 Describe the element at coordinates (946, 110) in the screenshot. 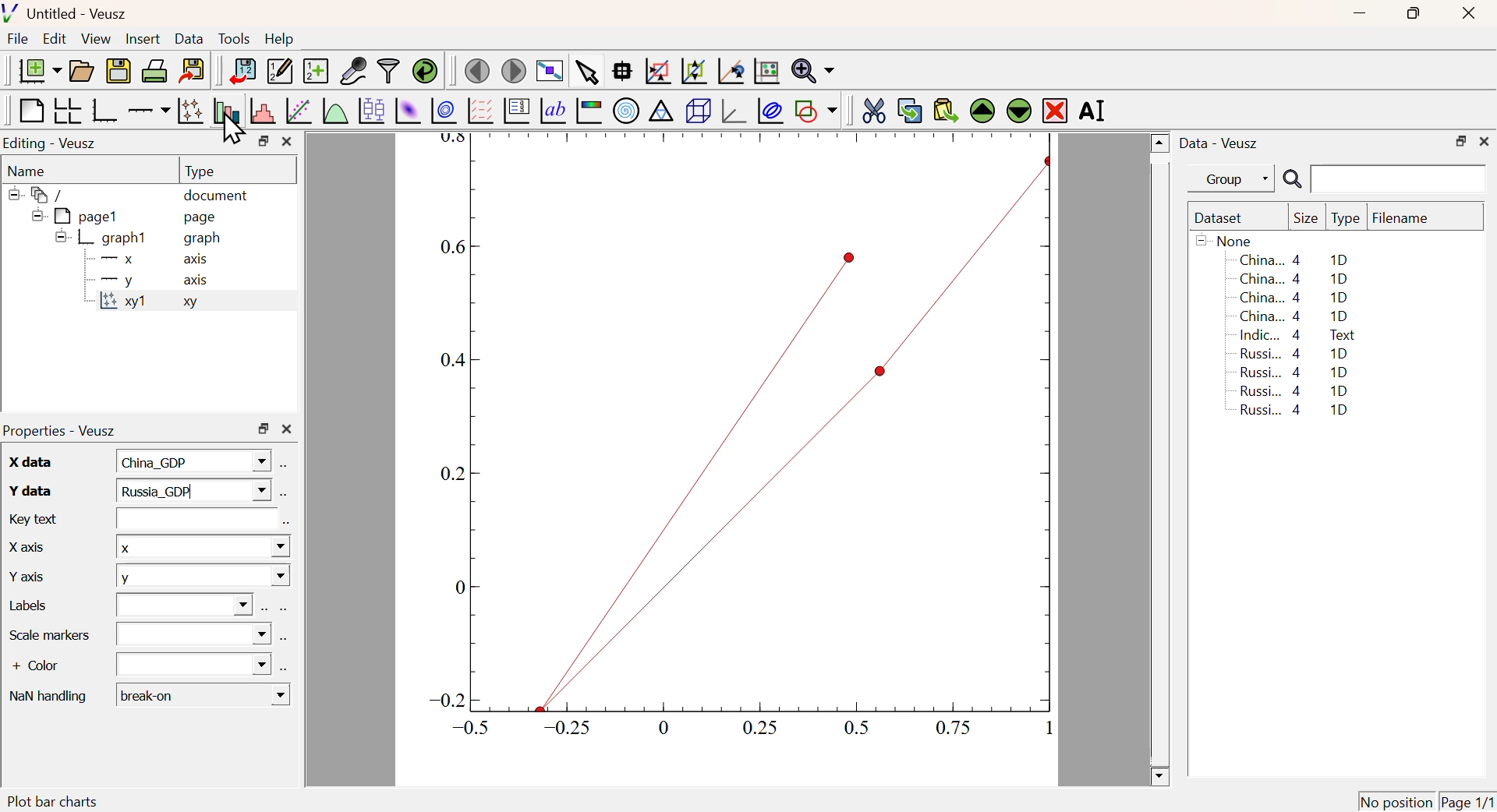

I see `Paste from Clipboard` at that location.